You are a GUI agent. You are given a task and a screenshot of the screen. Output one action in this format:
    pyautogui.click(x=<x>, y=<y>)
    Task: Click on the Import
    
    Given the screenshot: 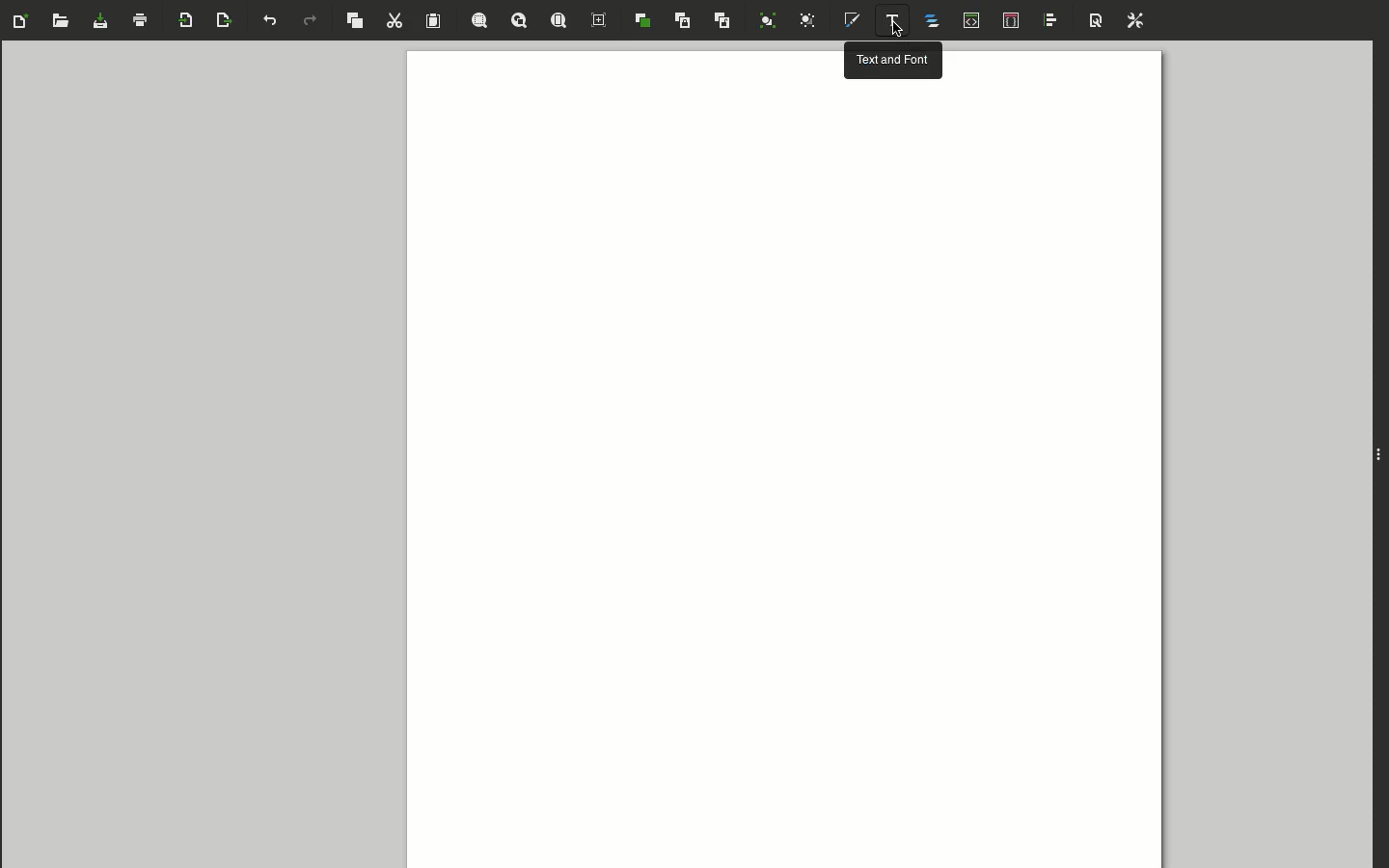 What is the action you would take?
    pyautogui.click(x=188, y=21)
    